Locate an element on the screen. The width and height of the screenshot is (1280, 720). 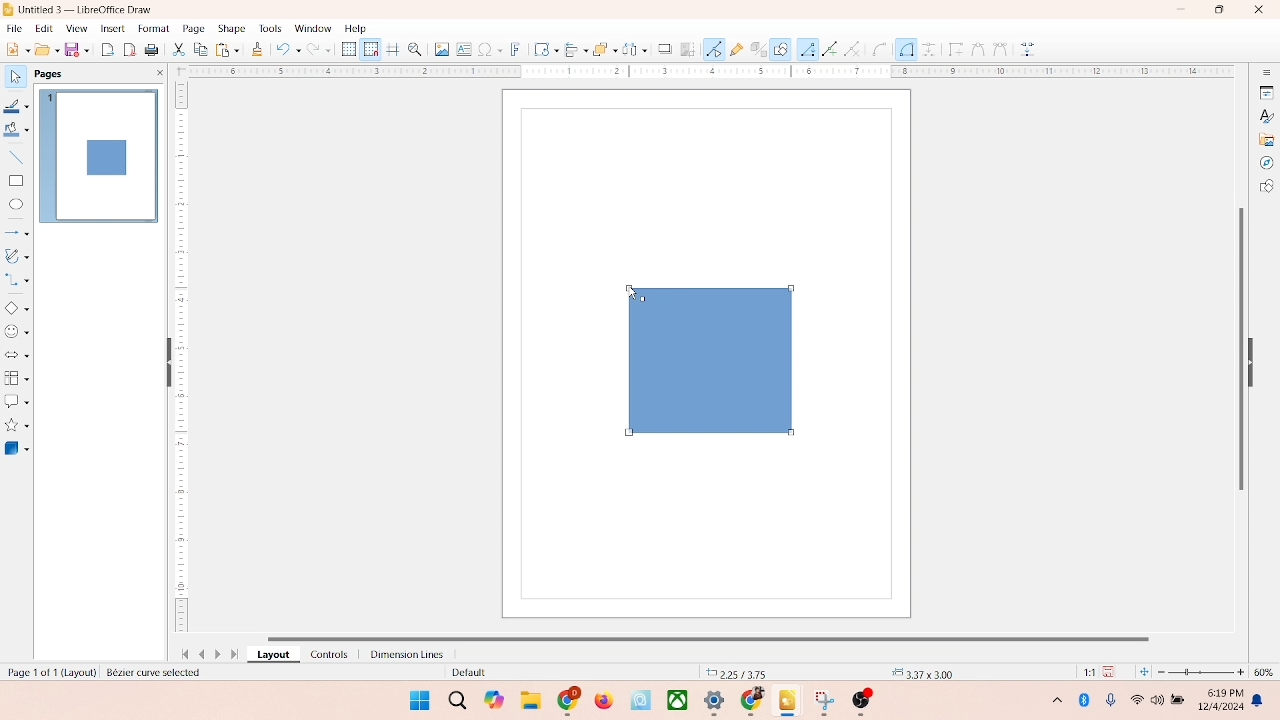
default is located at coordinates (465, 673).